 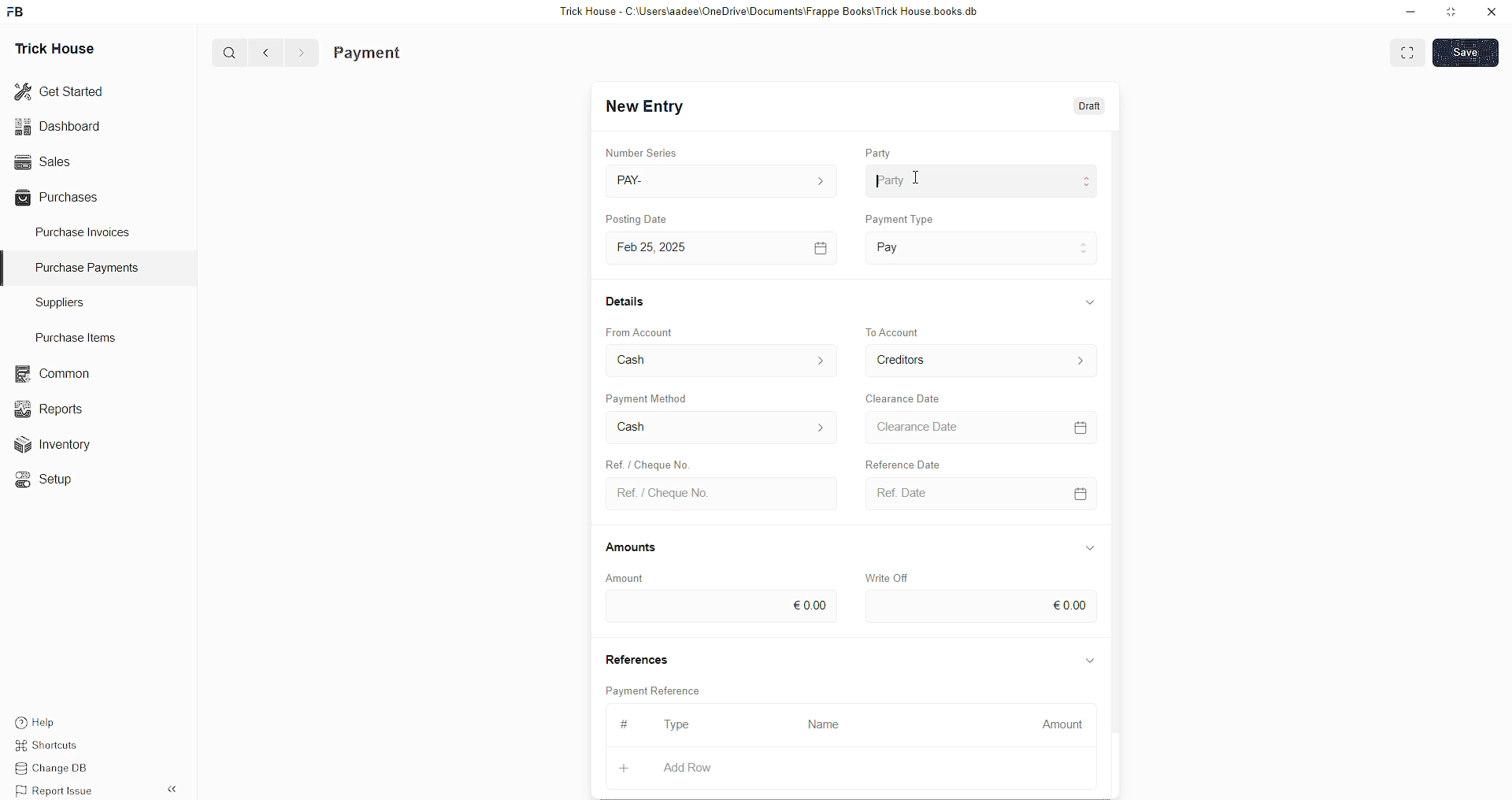 I want to click on From Account, so click(x=645, y=331).